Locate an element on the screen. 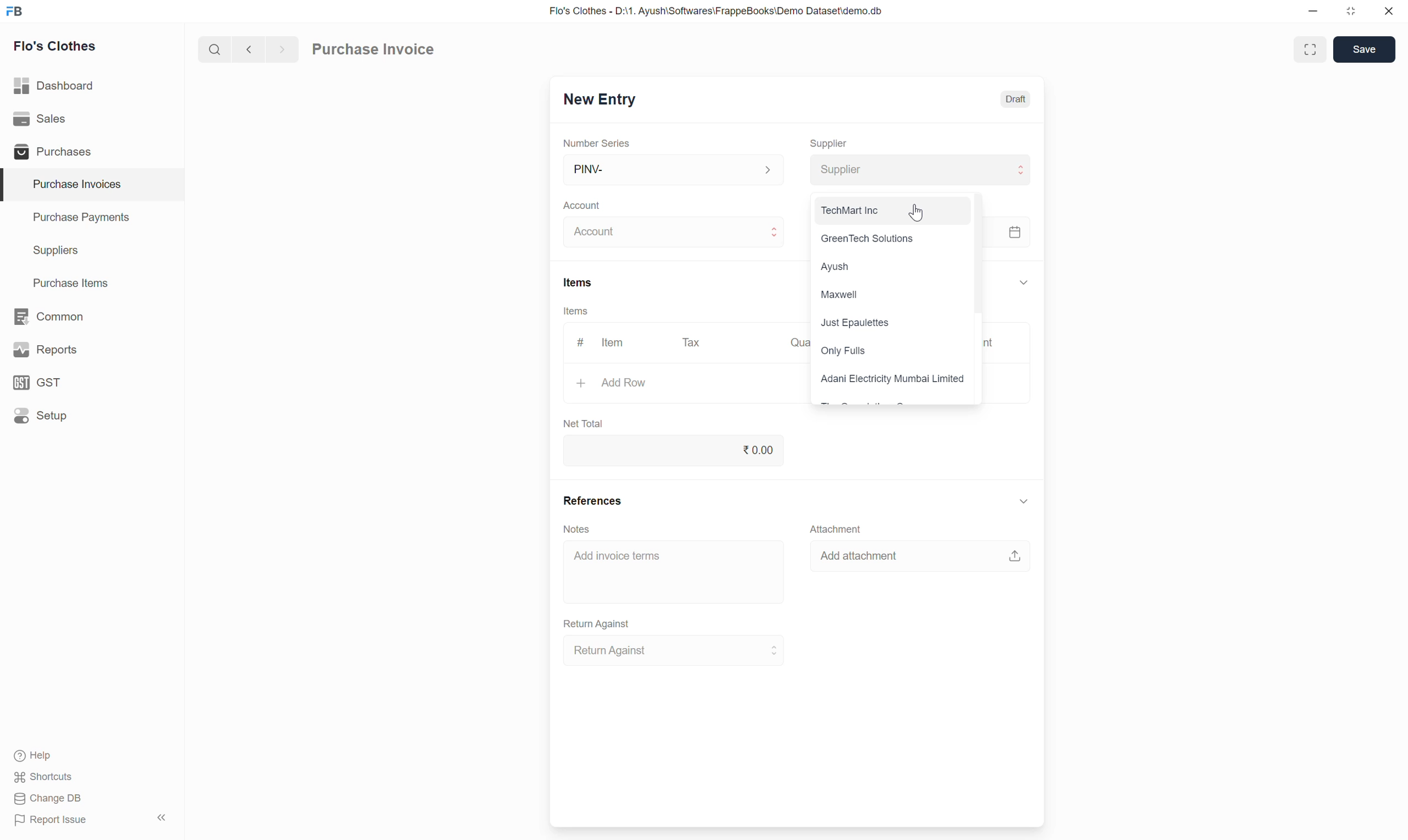 This screenshot has height=840, width=1408. Quantity is located at coordinates (795, 342).